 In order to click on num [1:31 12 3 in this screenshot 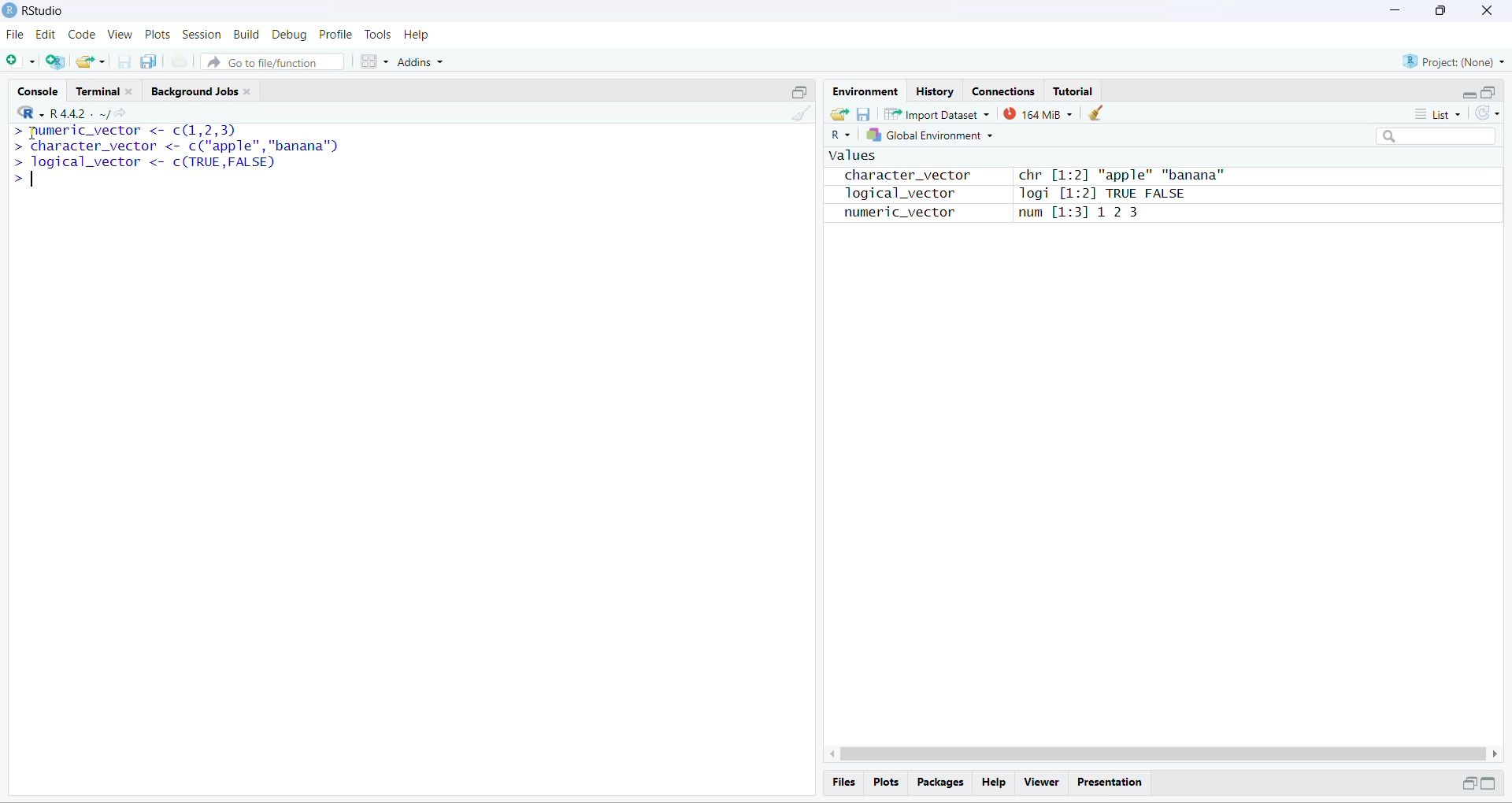, I will do `click(1080, 214)`.